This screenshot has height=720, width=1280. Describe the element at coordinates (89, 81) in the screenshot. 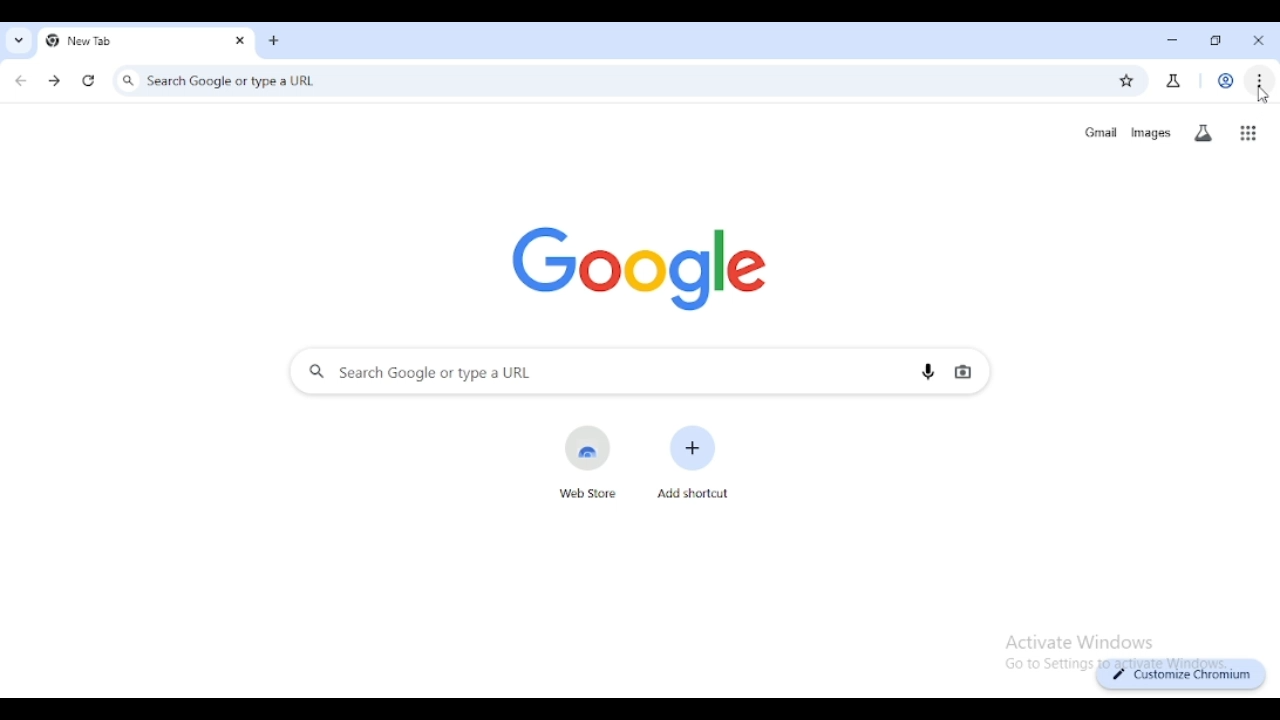

I see `reload this page` at that location.